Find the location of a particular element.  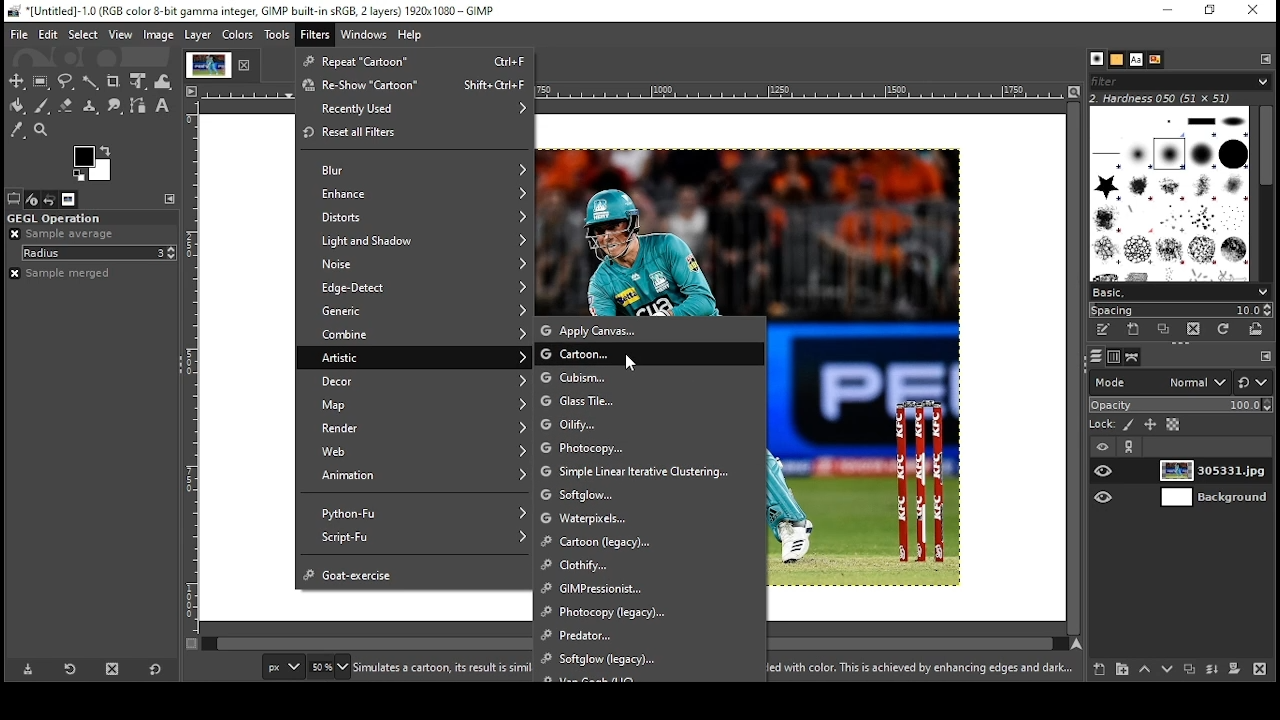

spacing is located at coordinates (1180, 309).